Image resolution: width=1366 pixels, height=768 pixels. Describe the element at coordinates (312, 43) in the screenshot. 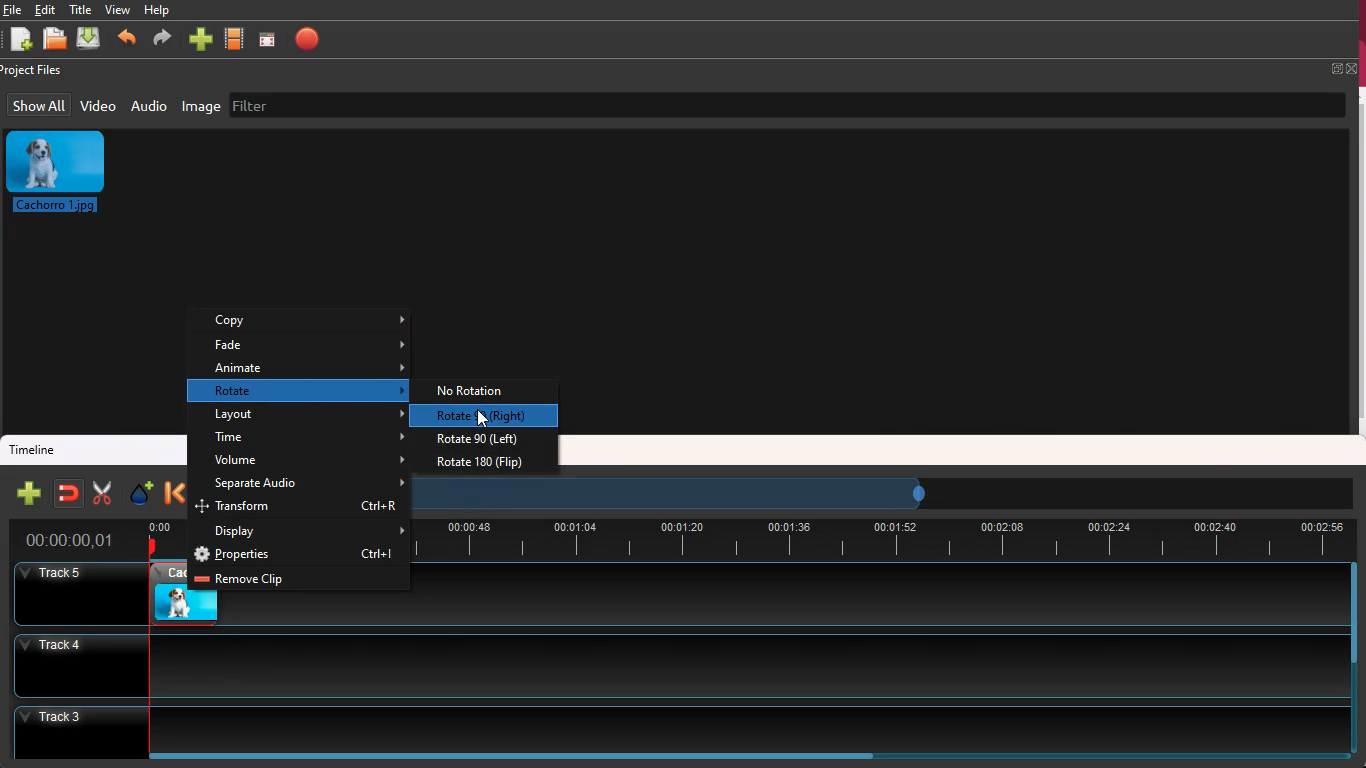

I see `stop` at that location.